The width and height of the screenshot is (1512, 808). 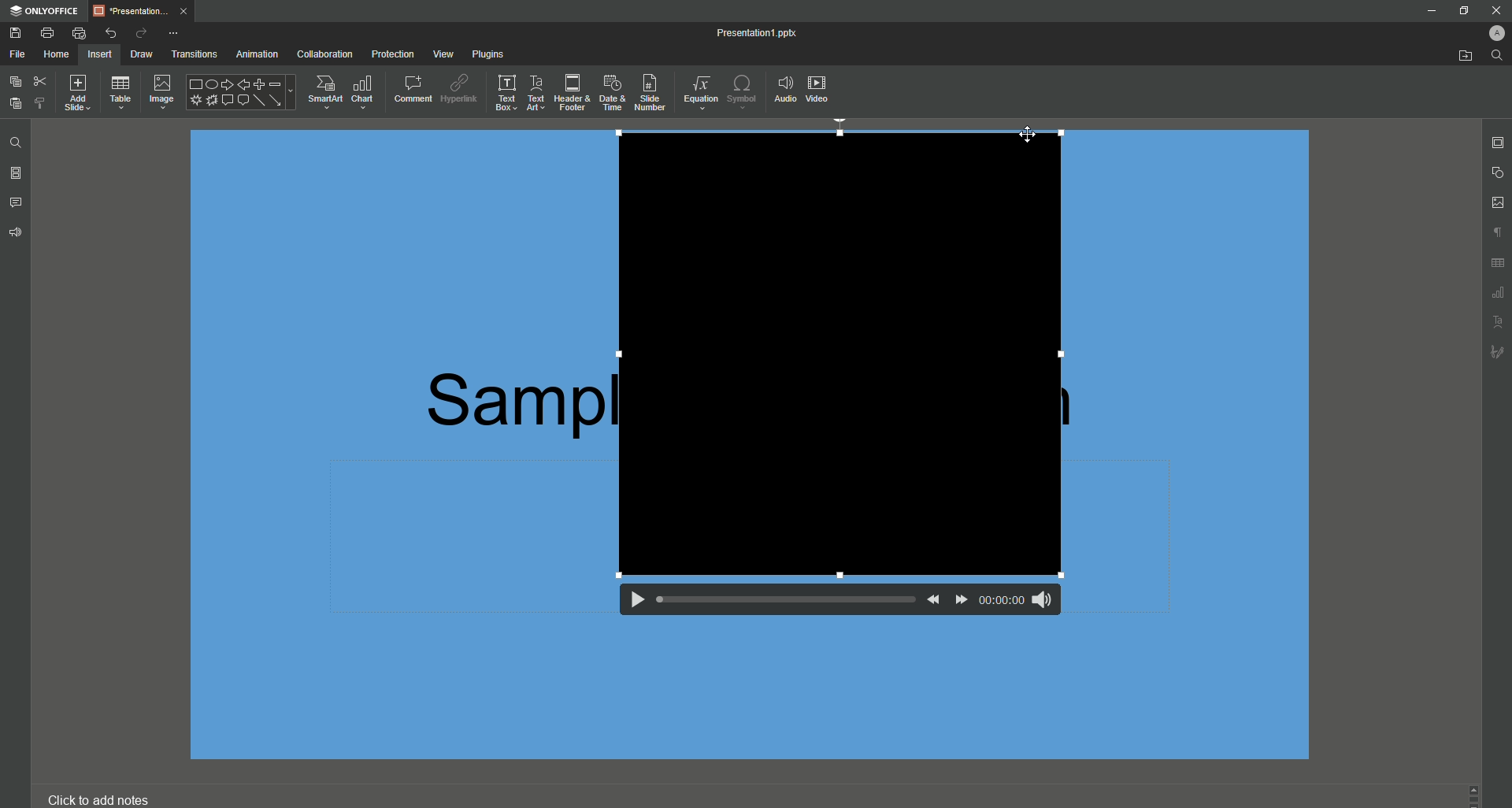 I want to click on Transitions, so click(x=193, y=55).